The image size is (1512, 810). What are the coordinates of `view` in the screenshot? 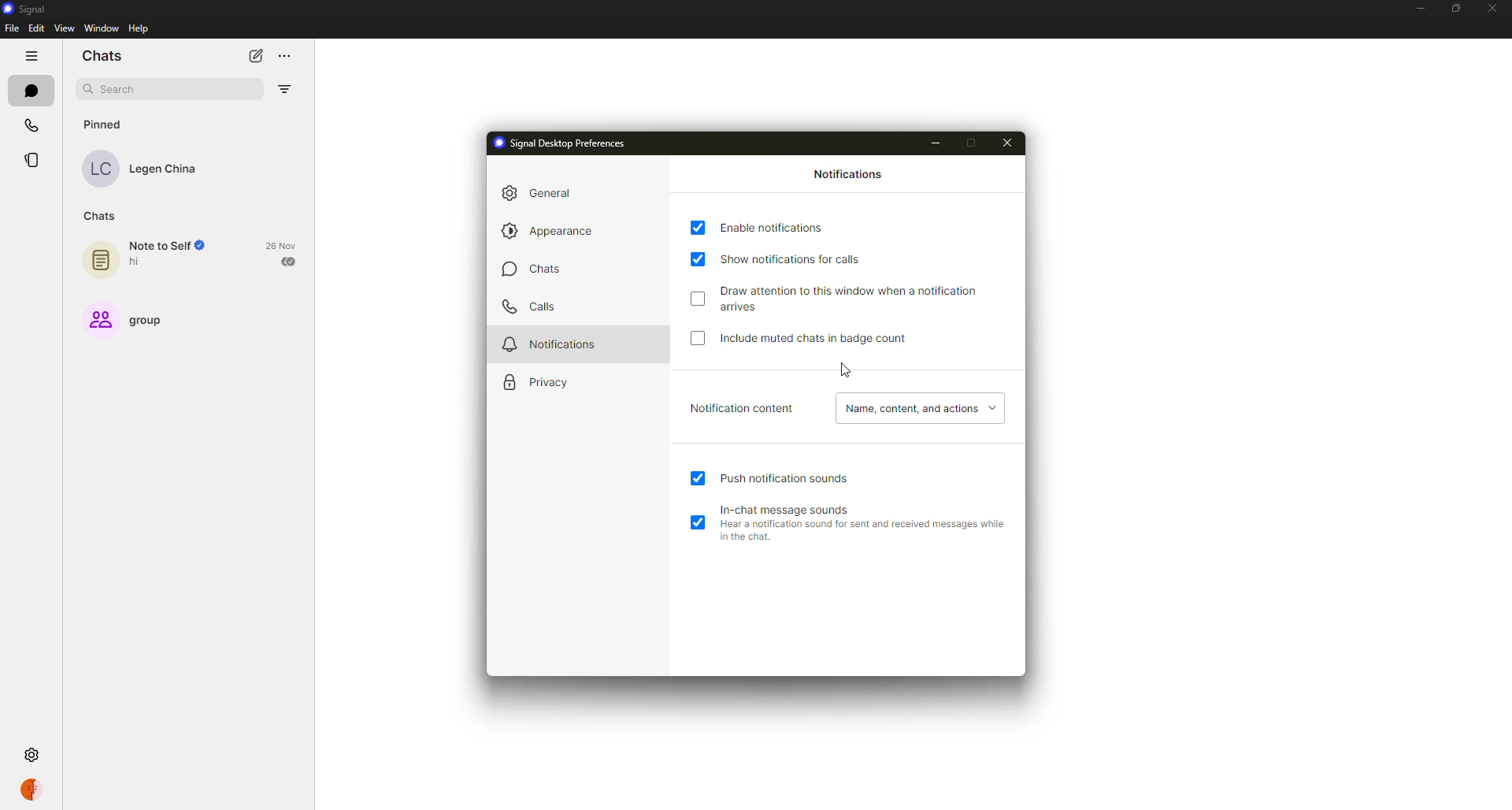 It's located at (66, 30).